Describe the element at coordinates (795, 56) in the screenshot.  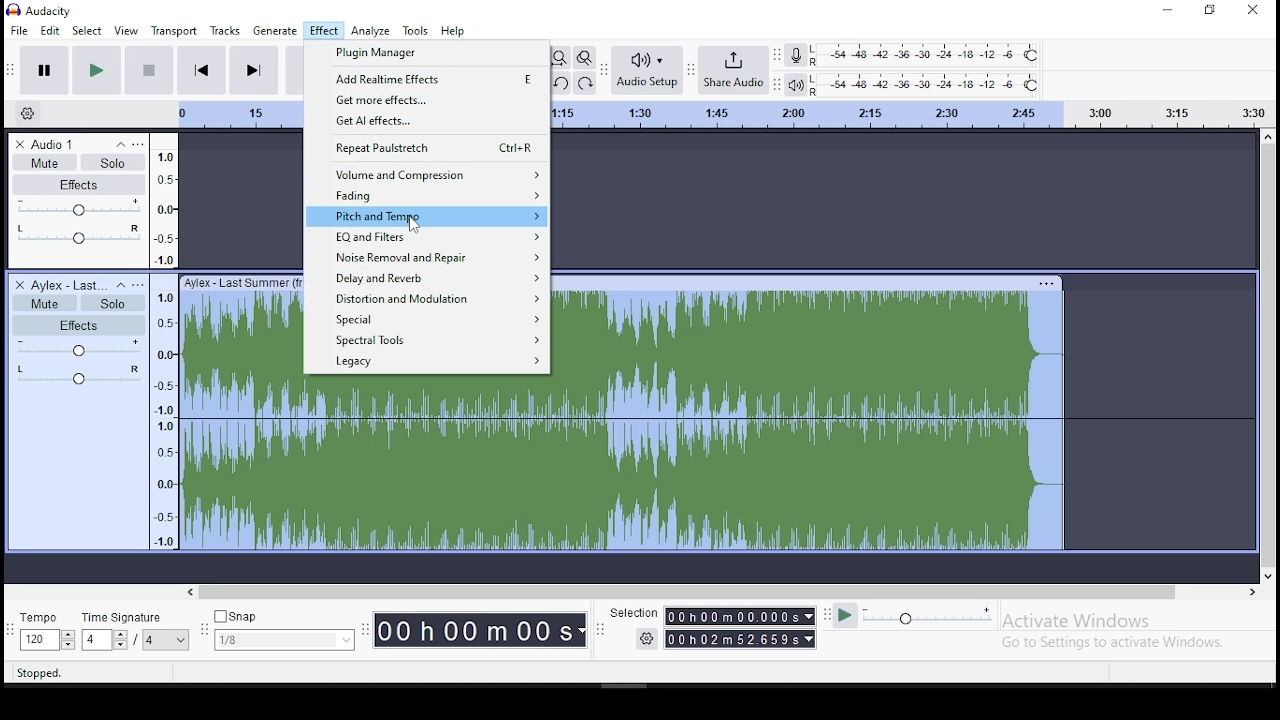
I see `record mixer` at that location.